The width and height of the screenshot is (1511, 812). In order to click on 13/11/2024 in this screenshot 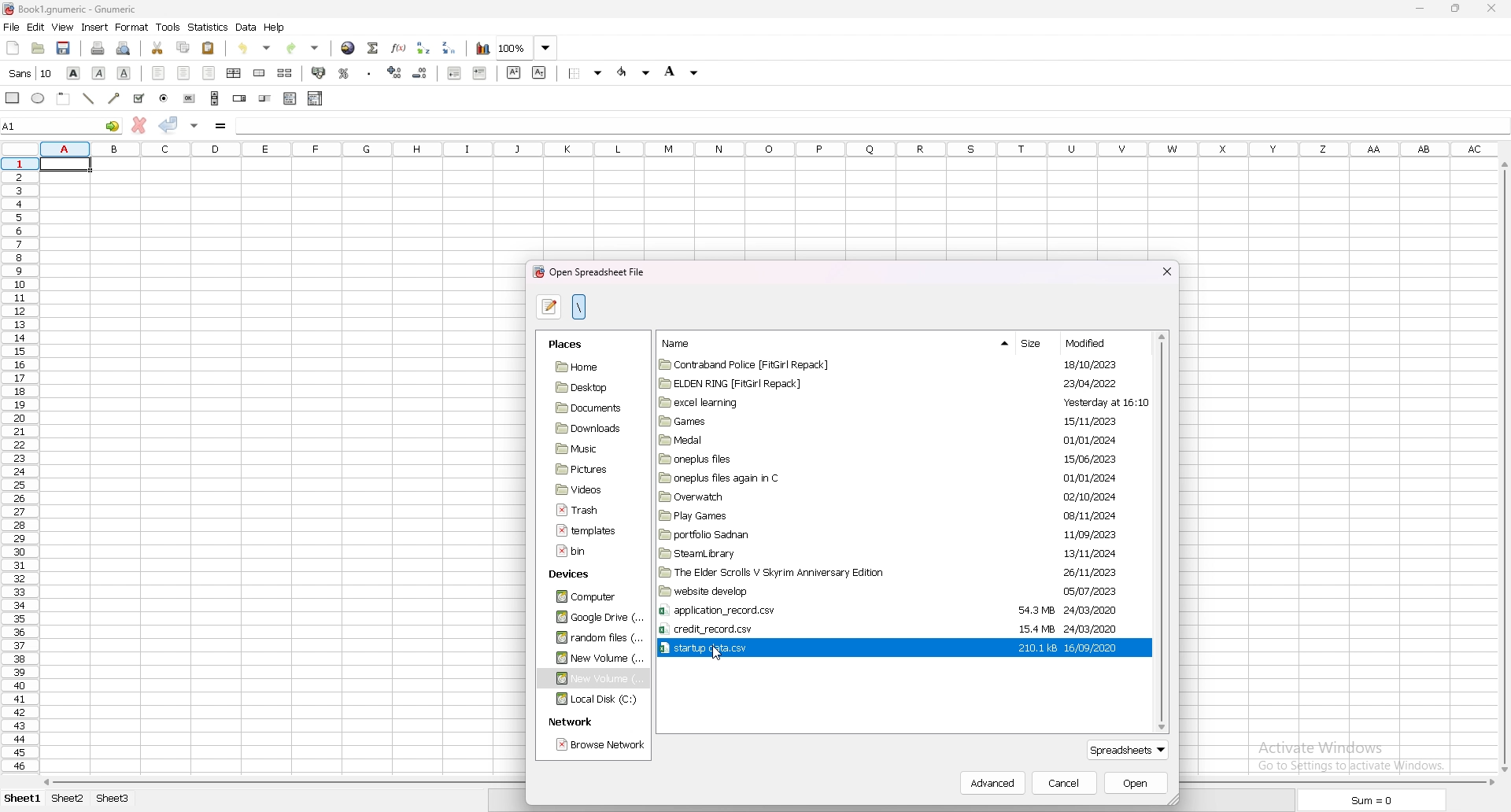, I will do `click(1091, 553)`.